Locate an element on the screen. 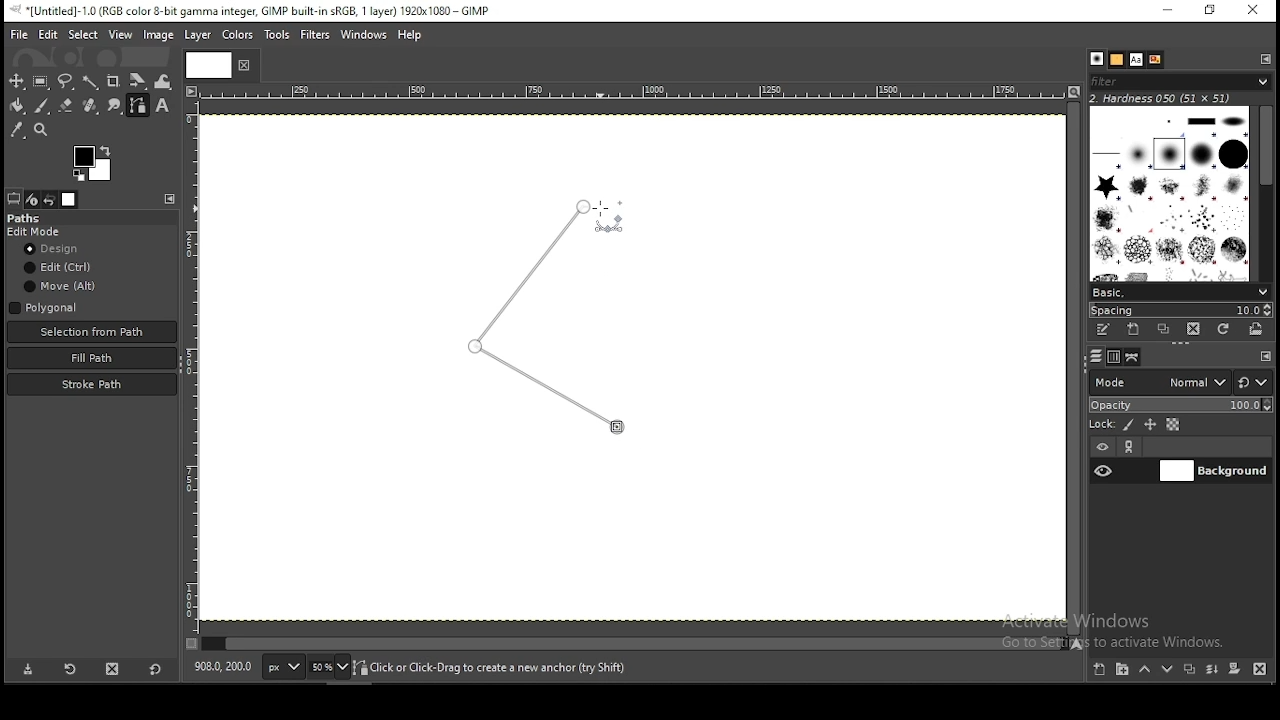  edit mode is located at coordinates (36, 232).